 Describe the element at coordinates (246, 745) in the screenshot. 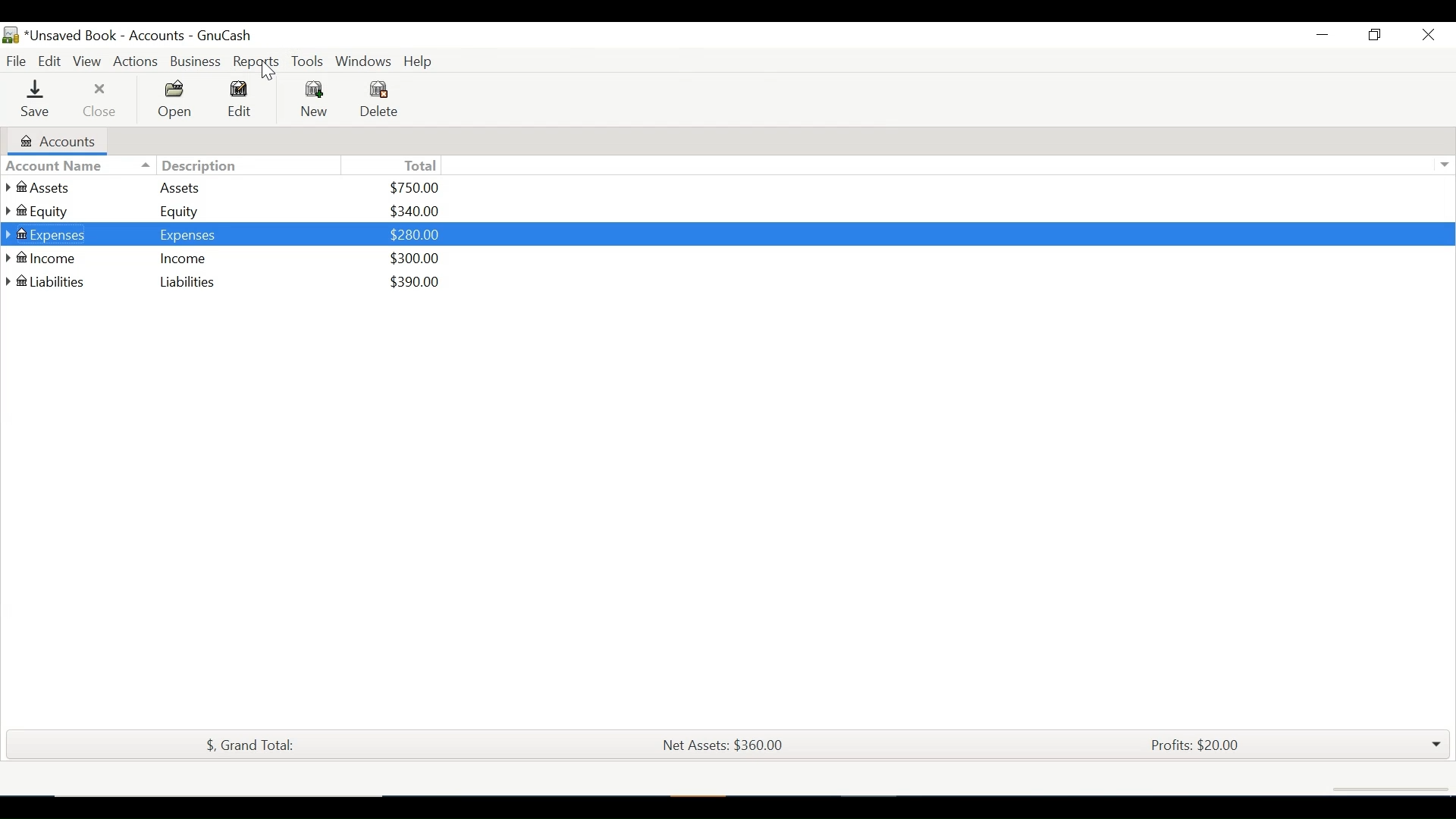

I see `$, Grand Total:` at that location.